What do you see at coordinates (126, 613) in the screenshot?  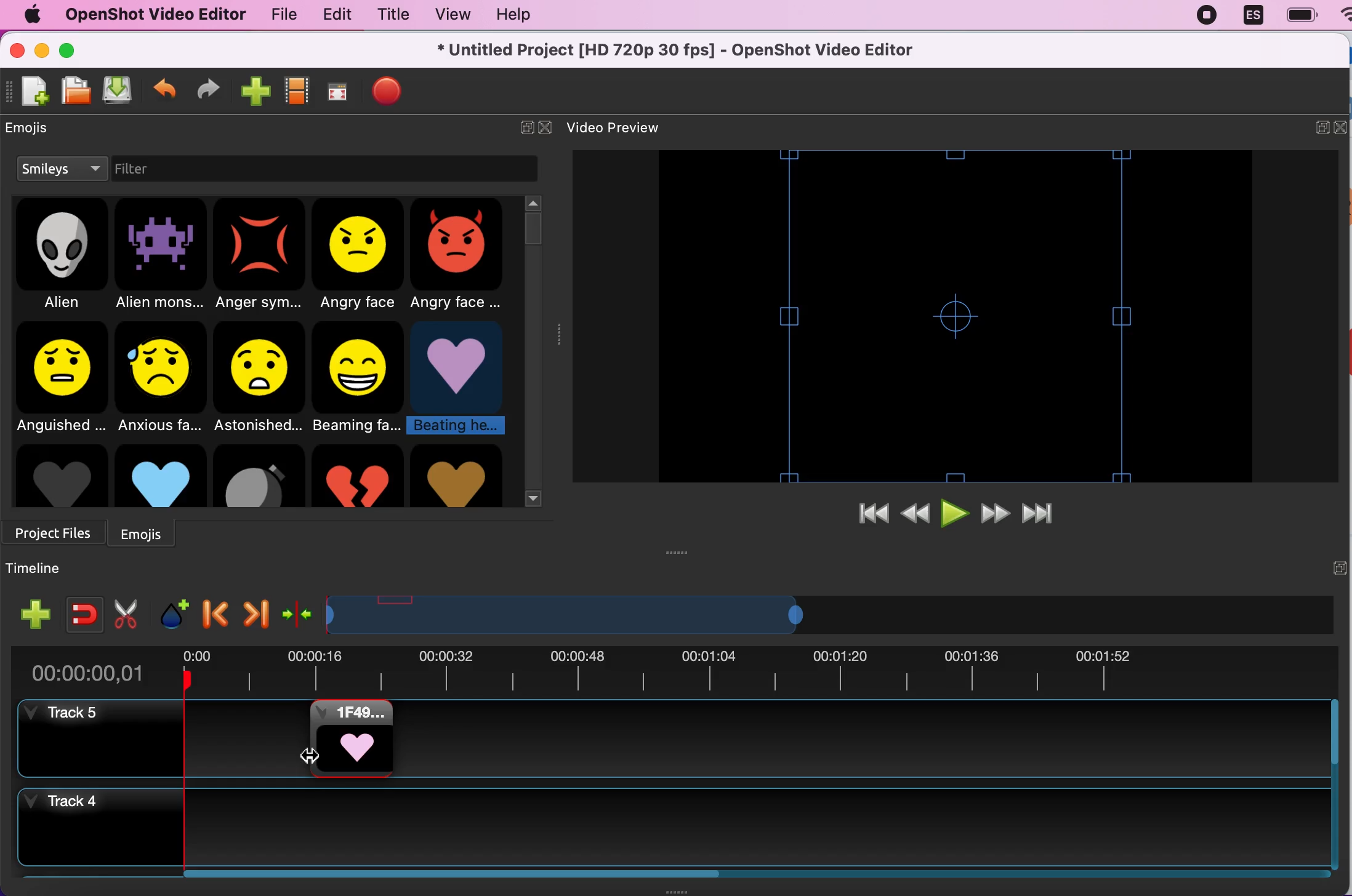 I see `cut` at bounding box center [126, 613].